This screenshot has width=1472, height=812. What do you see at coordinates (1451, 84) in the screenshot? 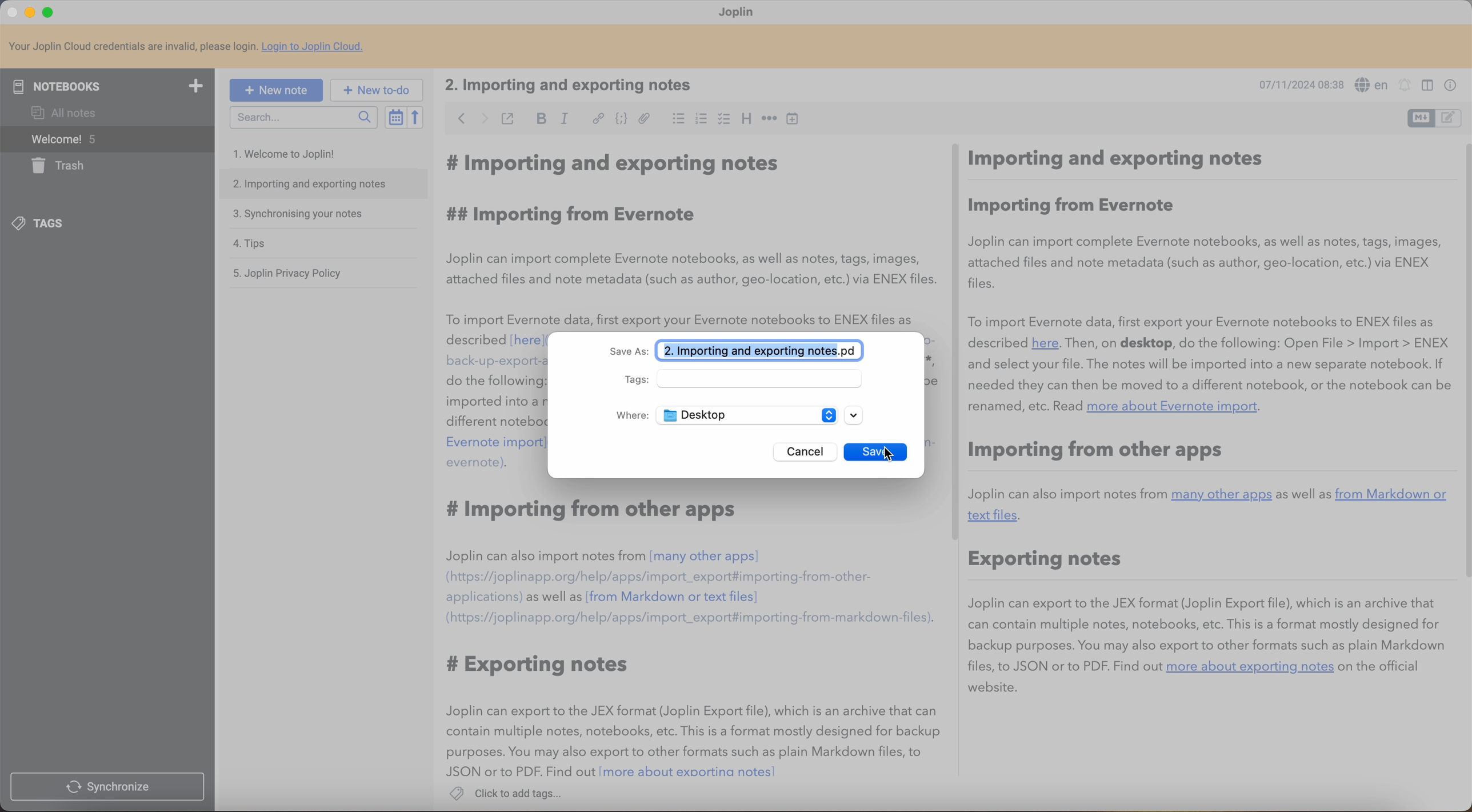
I see `note properties` at bounding box center [1451, 84].